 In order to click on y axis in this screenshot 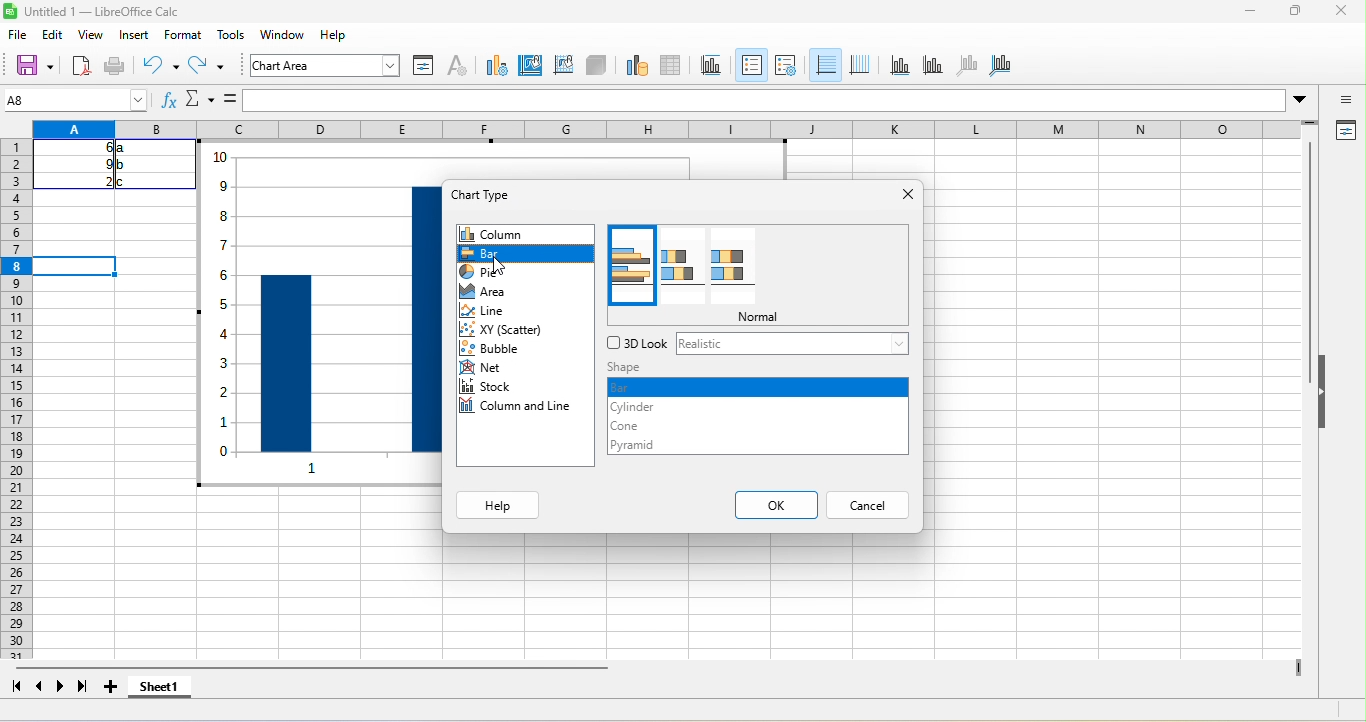, I will do `click(931, 67)`.